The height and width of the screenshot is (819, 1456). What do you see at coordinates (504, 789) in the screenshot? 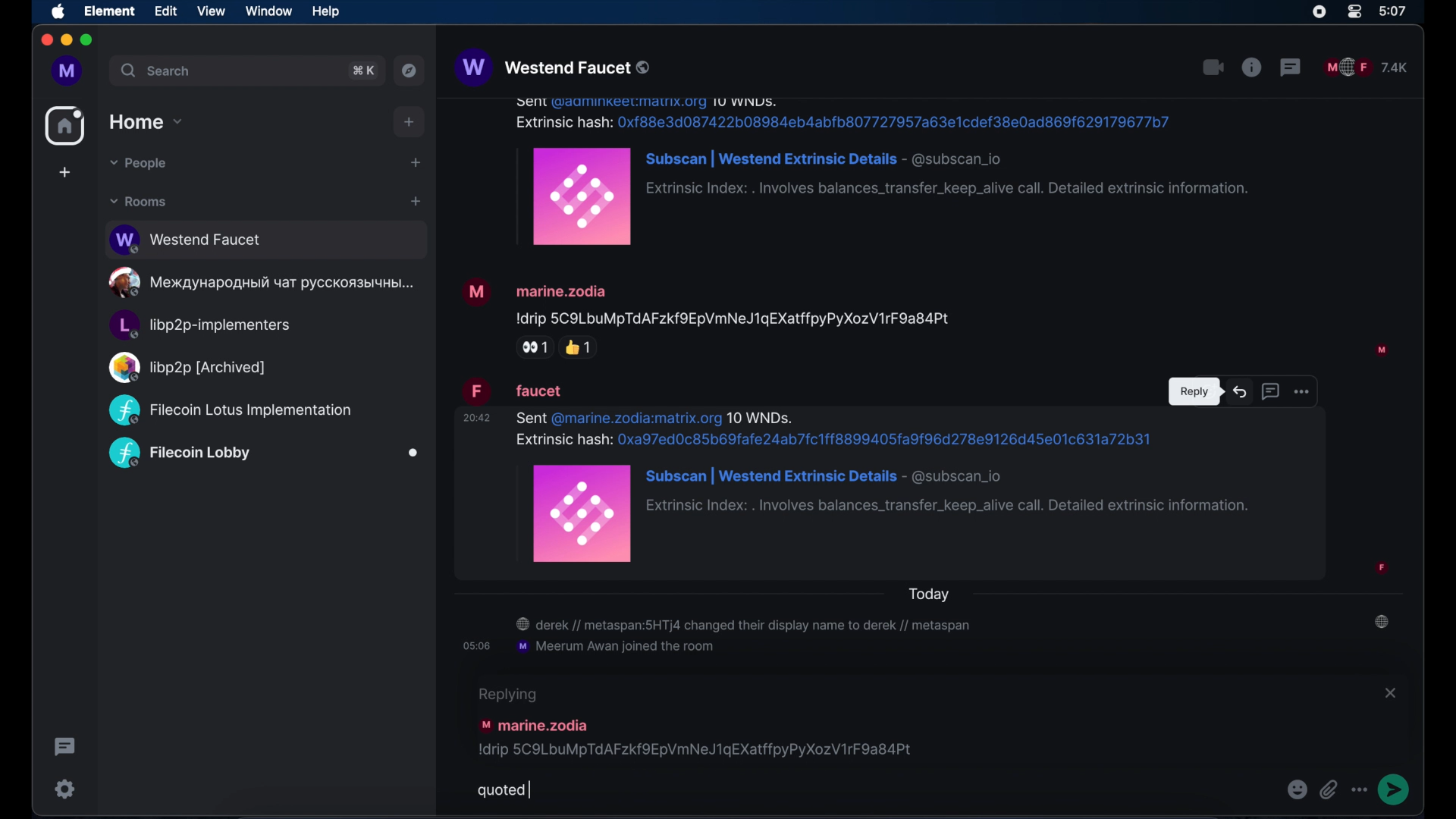
I see `quoted` at bounding box center [504, 789].